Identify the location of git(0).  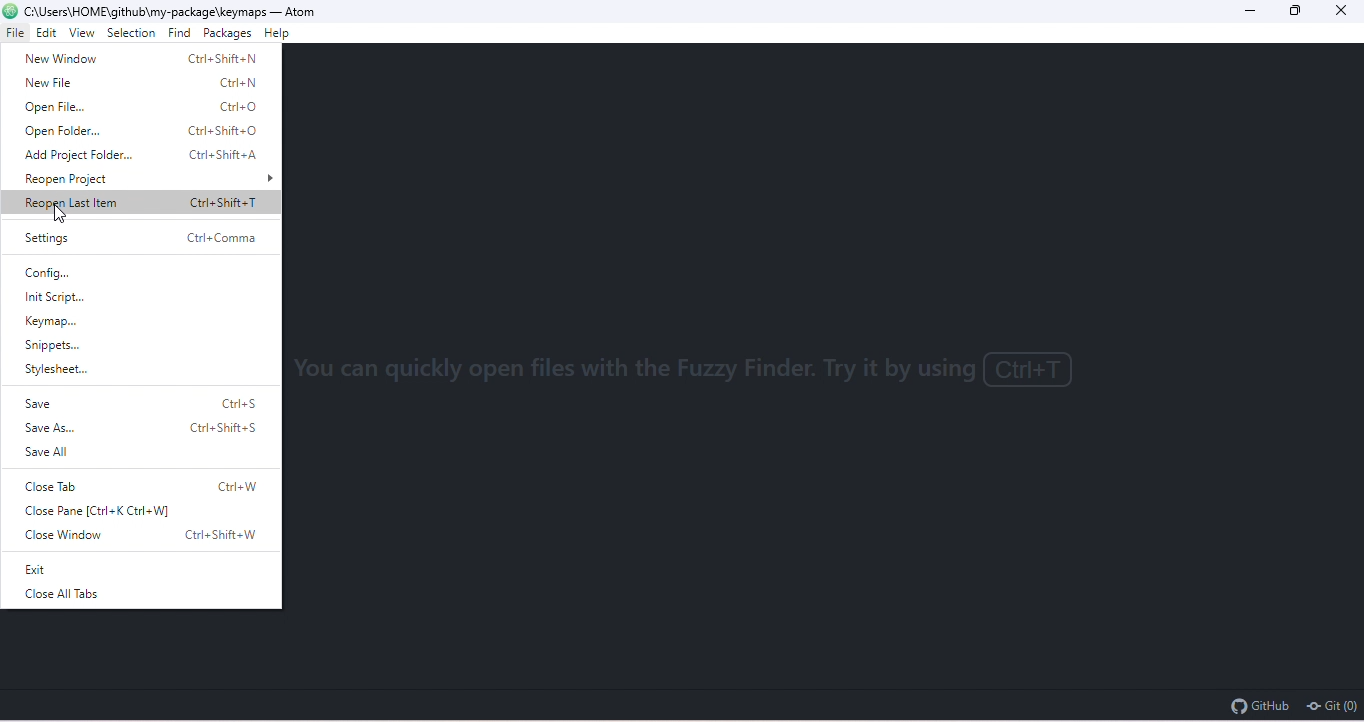
(1336, 707).